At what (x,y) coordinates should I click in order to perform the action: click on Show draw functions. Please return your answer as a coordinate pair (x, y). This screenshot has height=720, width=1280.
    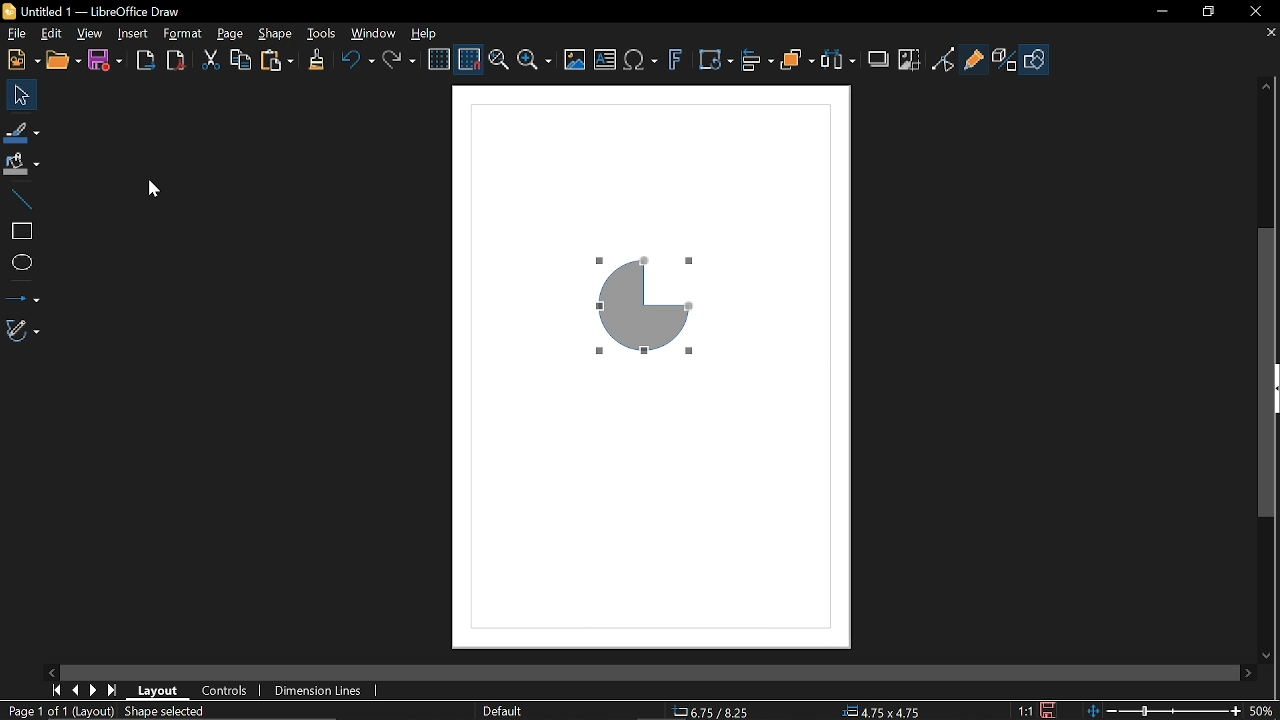
    Looking at the image, I should click on (1034, 59).